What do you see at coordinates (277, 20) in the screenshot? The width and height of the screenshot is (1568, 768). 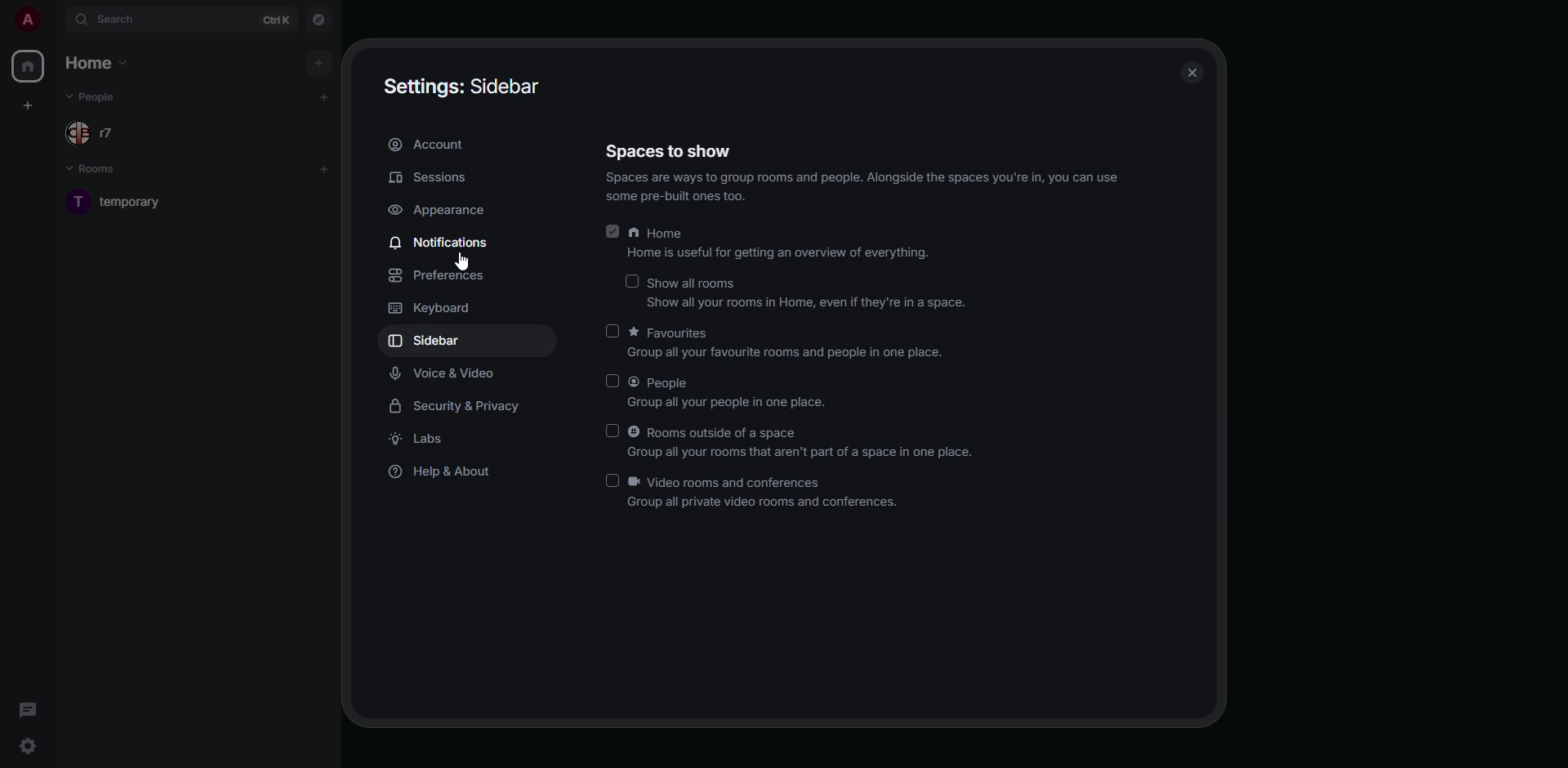 I see `ctrl K` at bounding box center [277, 20].